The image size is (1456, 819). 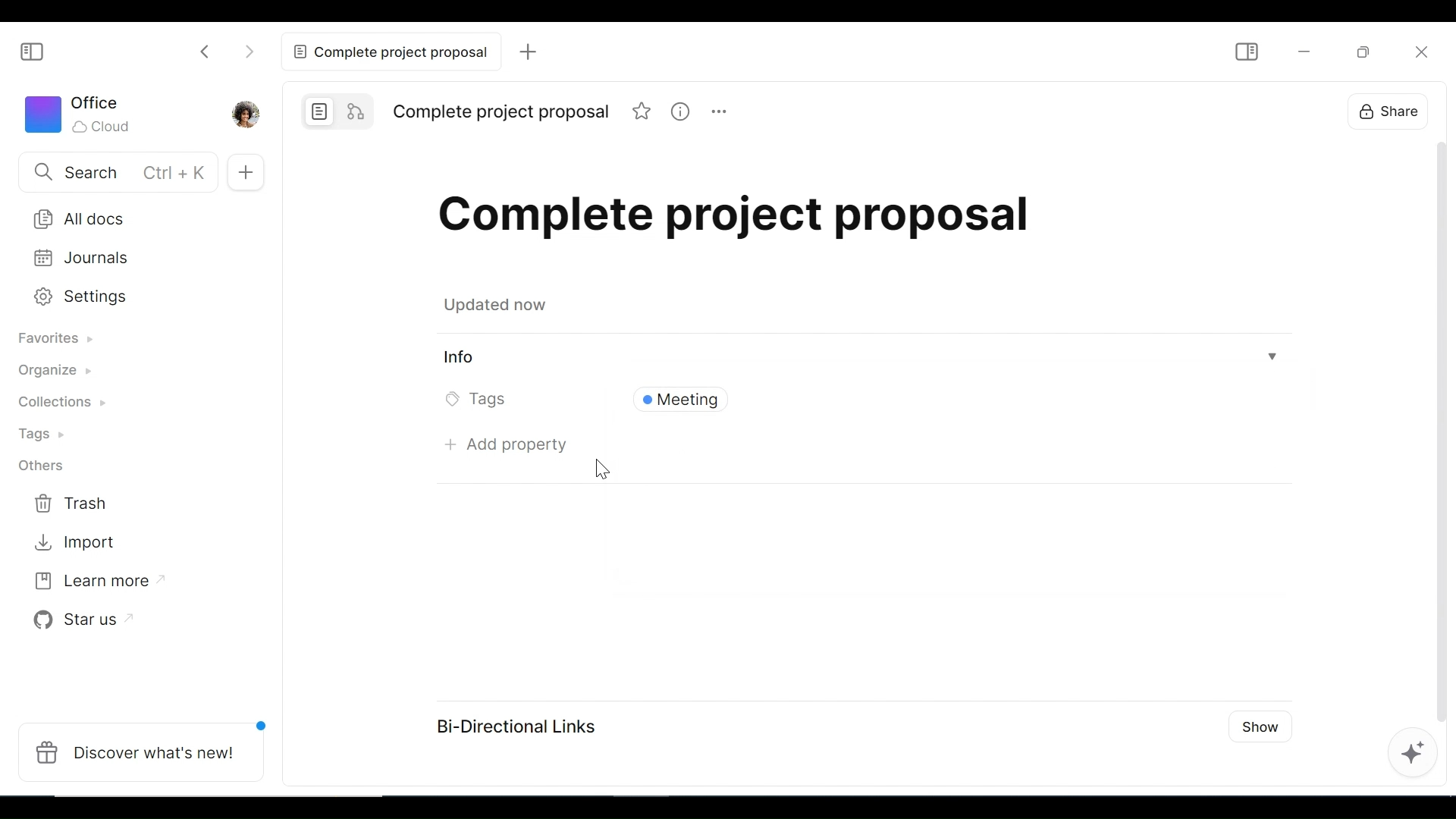 I want to click on Share, so click(x=1382, y=110).